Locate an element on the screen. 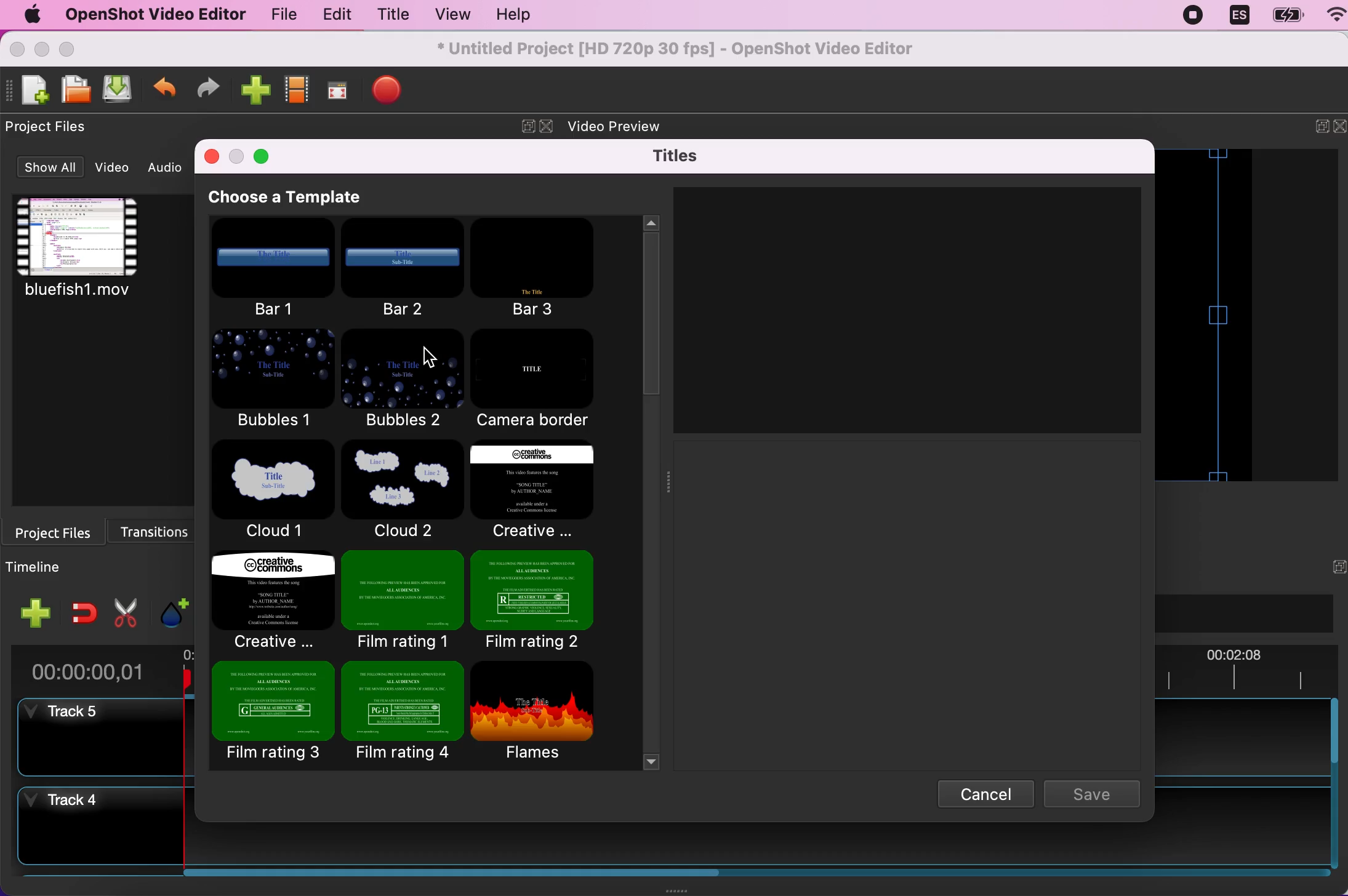  bar 2 is located at coordinates (404, 268).